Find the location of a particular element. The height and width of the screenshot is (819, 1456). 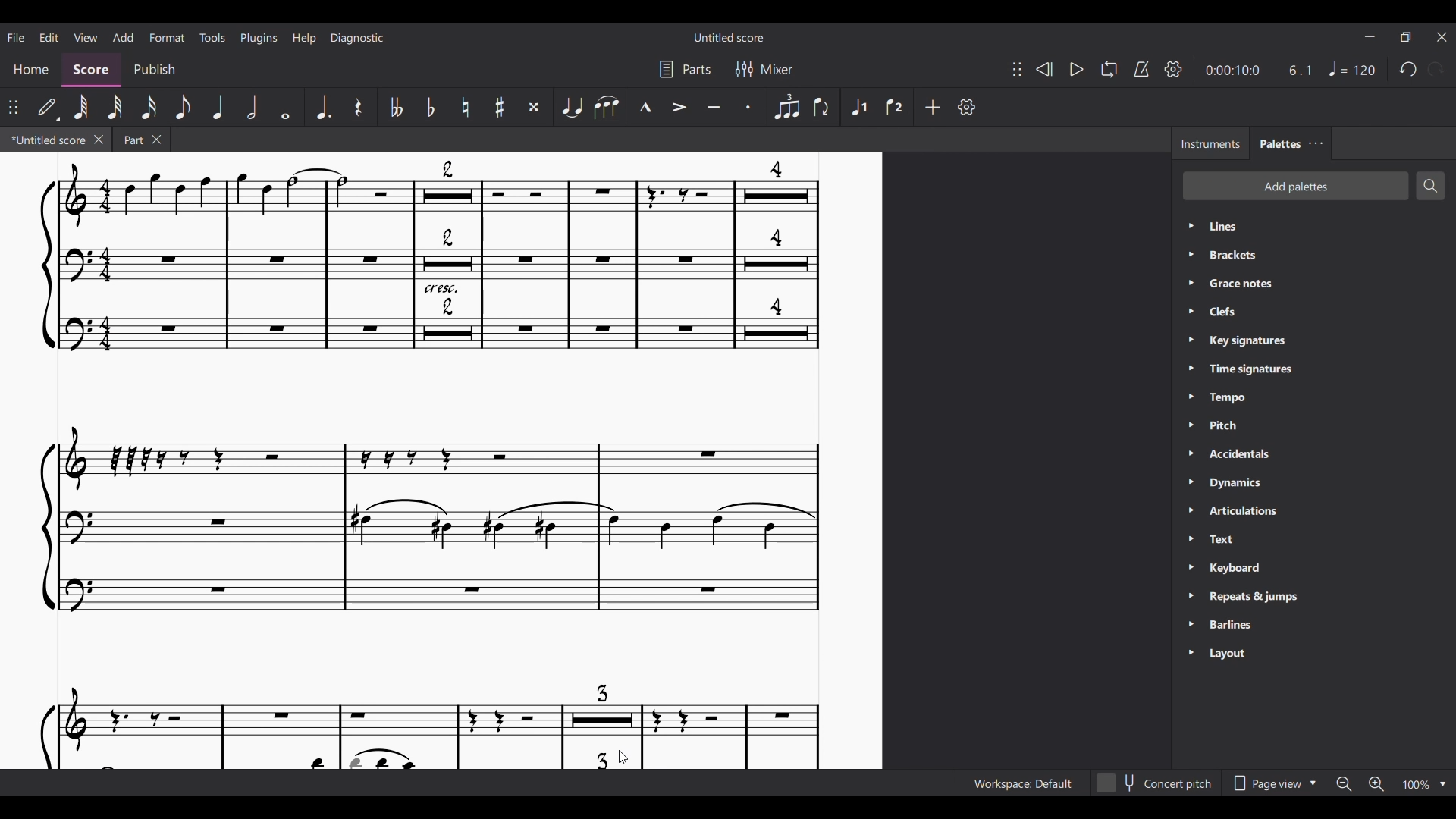

Add is located at coordinates (933, 108).